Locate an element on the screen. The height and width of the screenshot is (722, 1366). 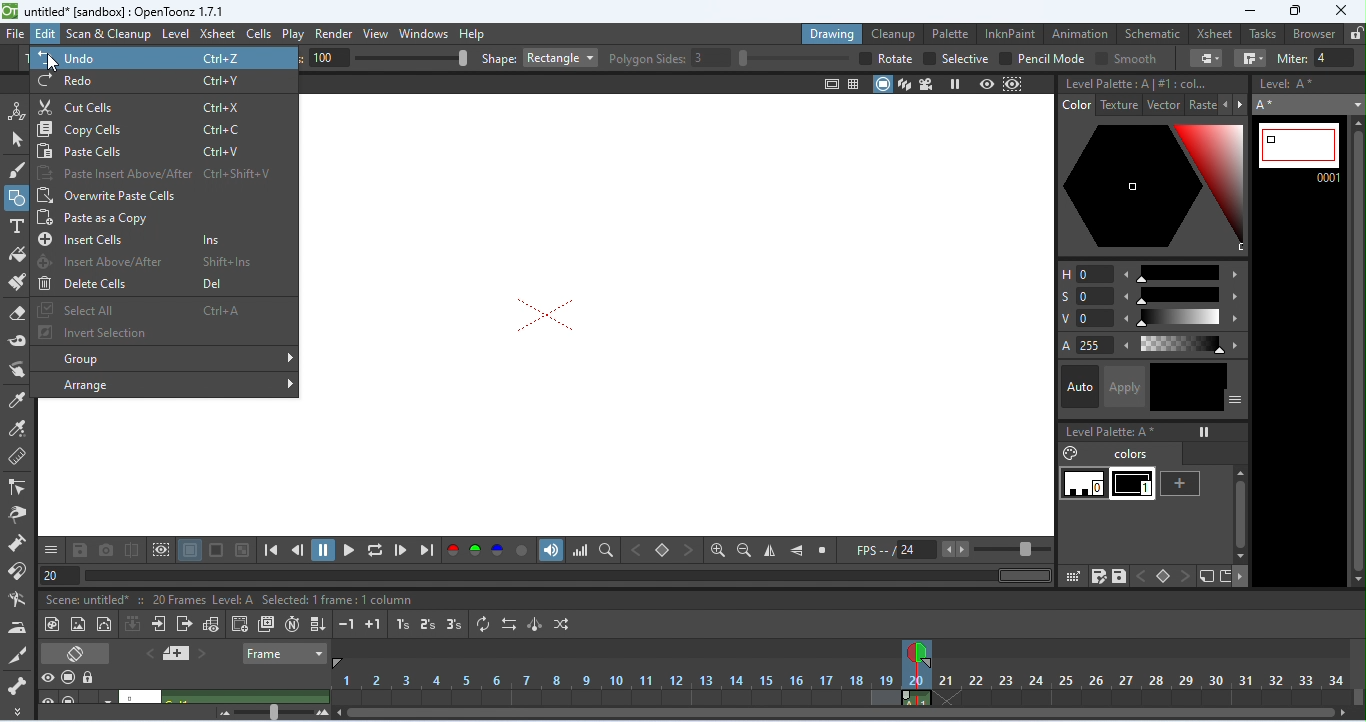
zoom in is located at coordinates (718, 551).